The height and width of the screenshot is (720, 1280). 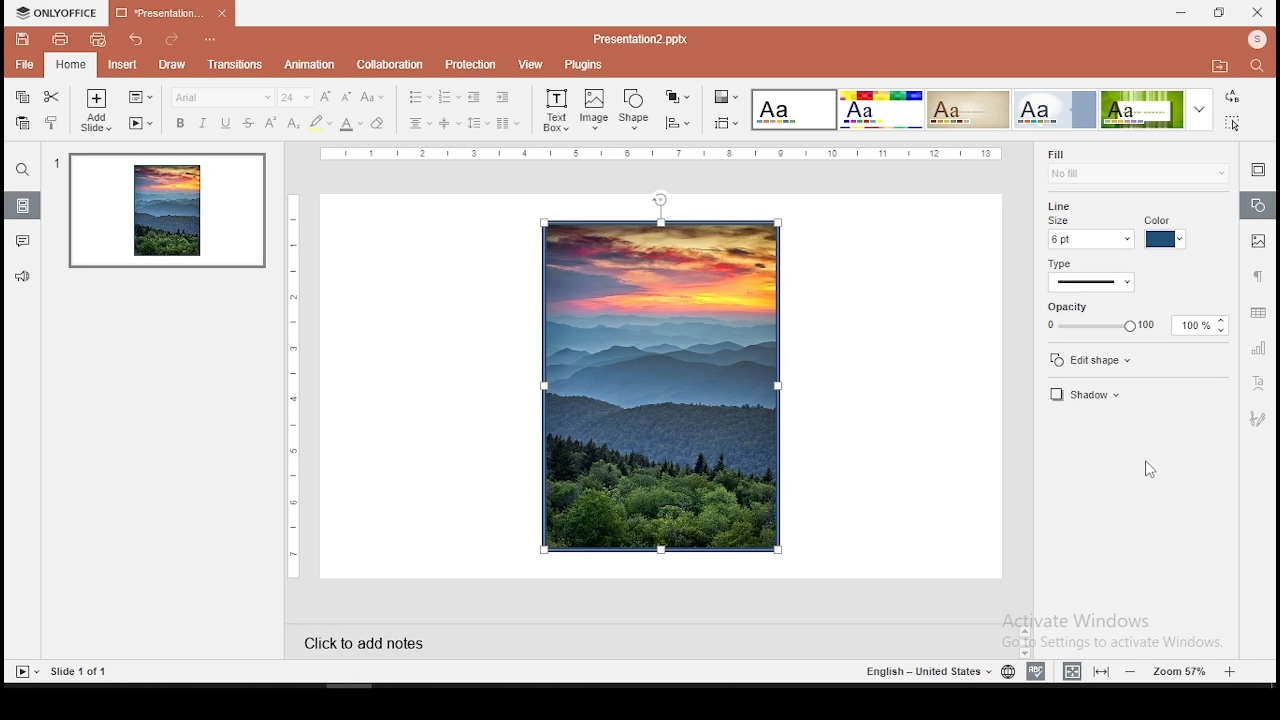 I want to click on draw, so click(x=172, y=65).